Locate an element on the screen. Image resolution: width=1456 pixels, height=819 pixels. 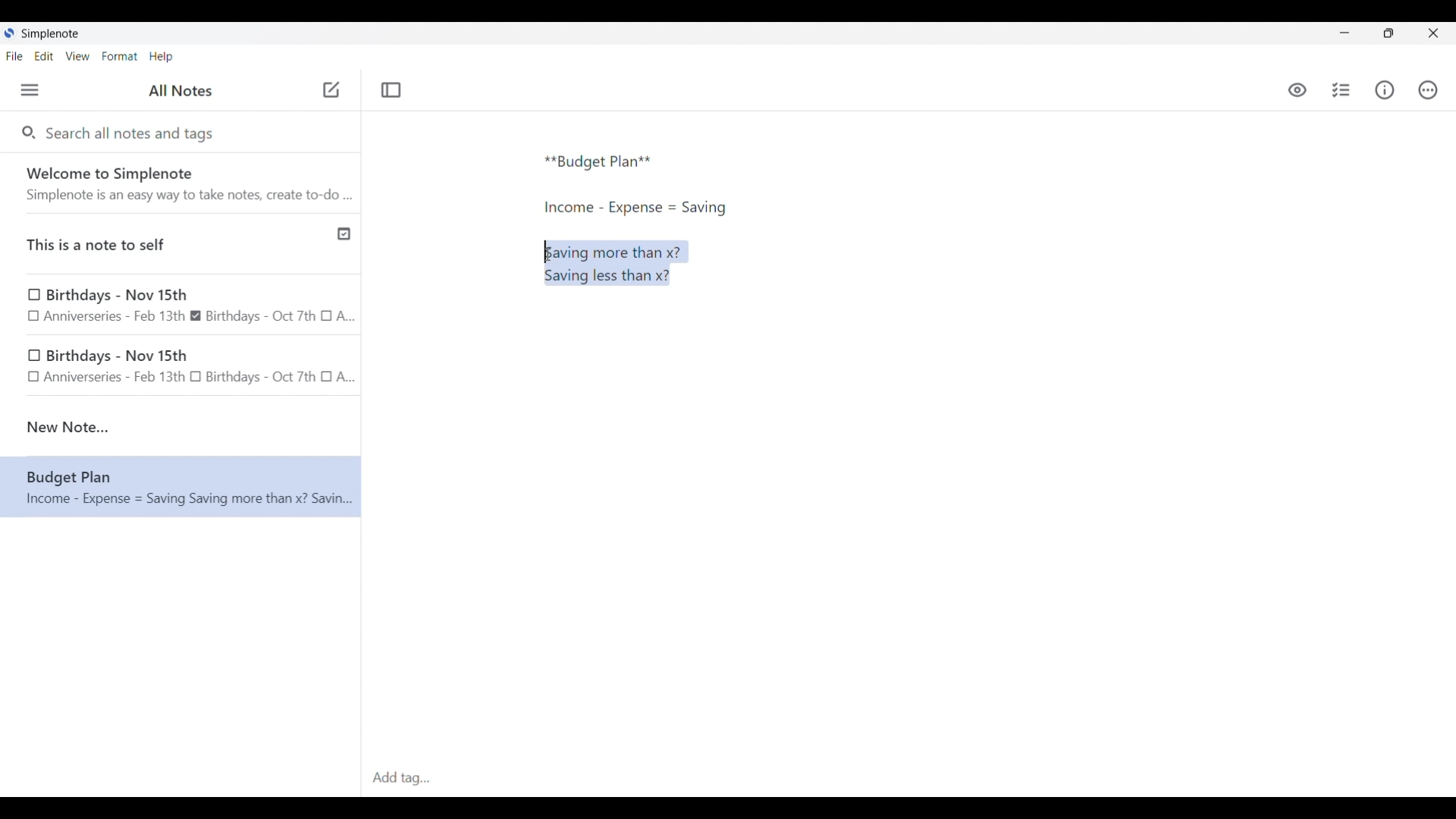
Minimize is located at coordinates (1345, 33).